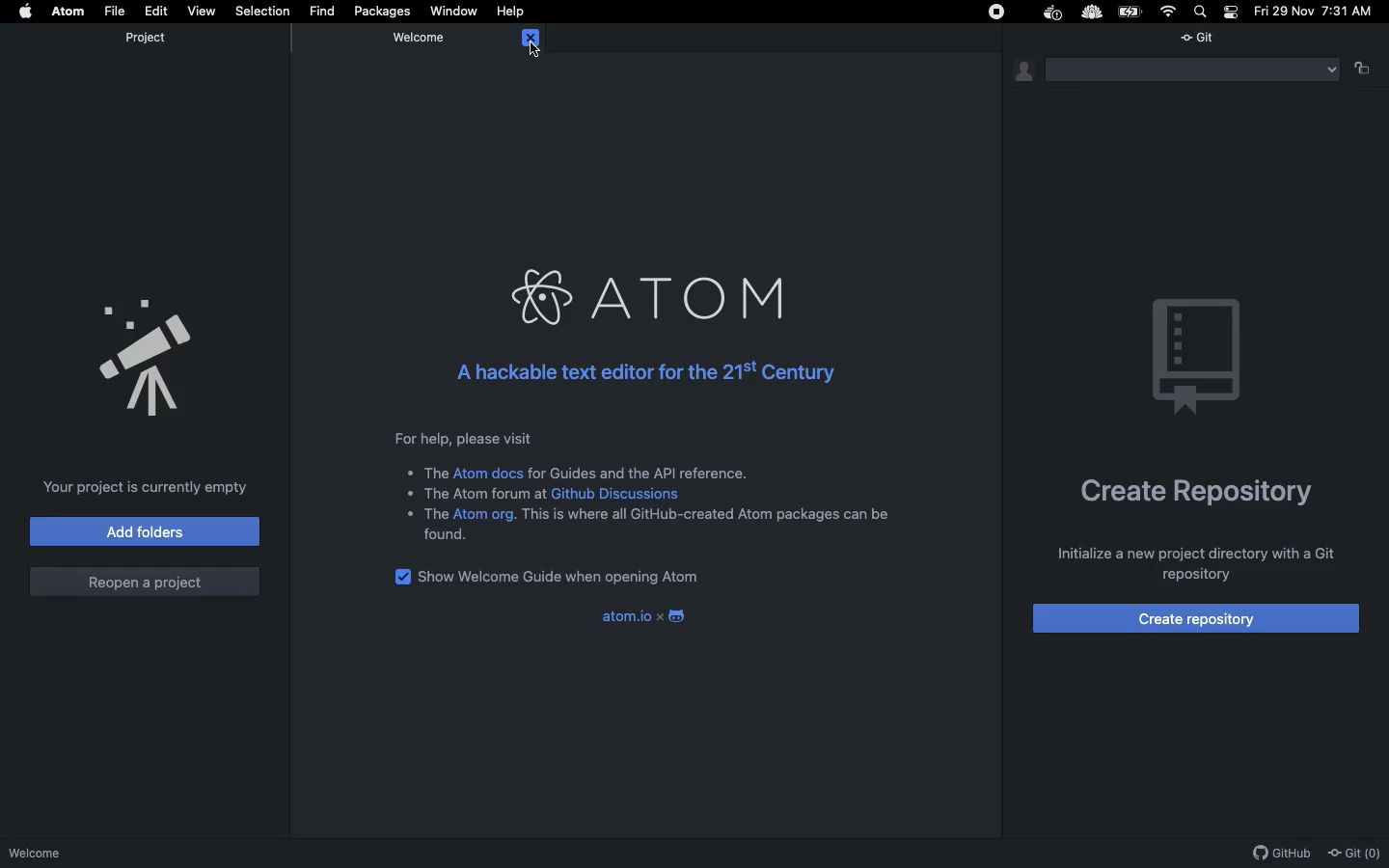  What do you see at coordinates (1352, 14) in the screenshot?
I see `7:31 AM` at bounding box center [1352, 14].